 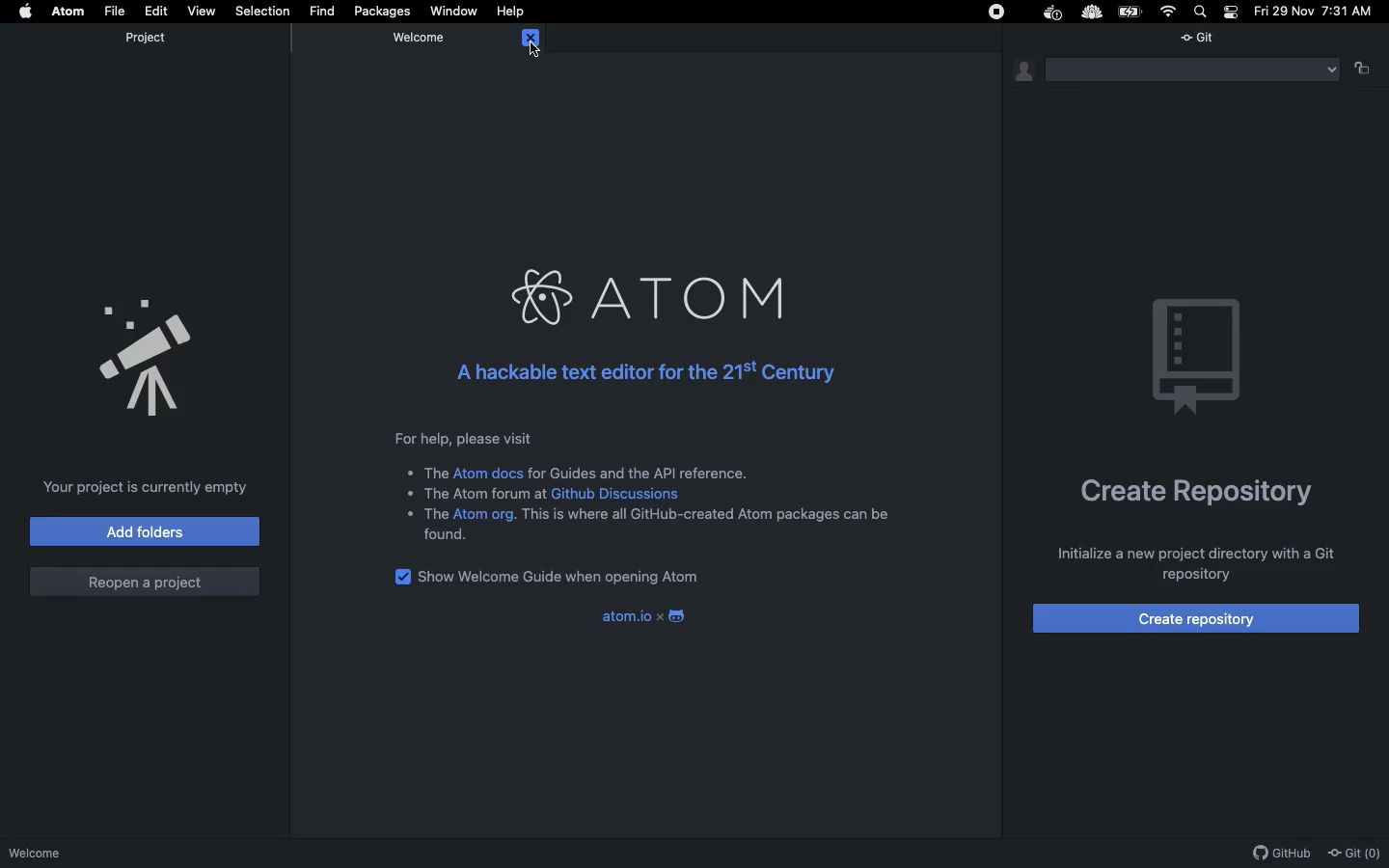 I want to click on Welcome, so click(x=421, y=38).